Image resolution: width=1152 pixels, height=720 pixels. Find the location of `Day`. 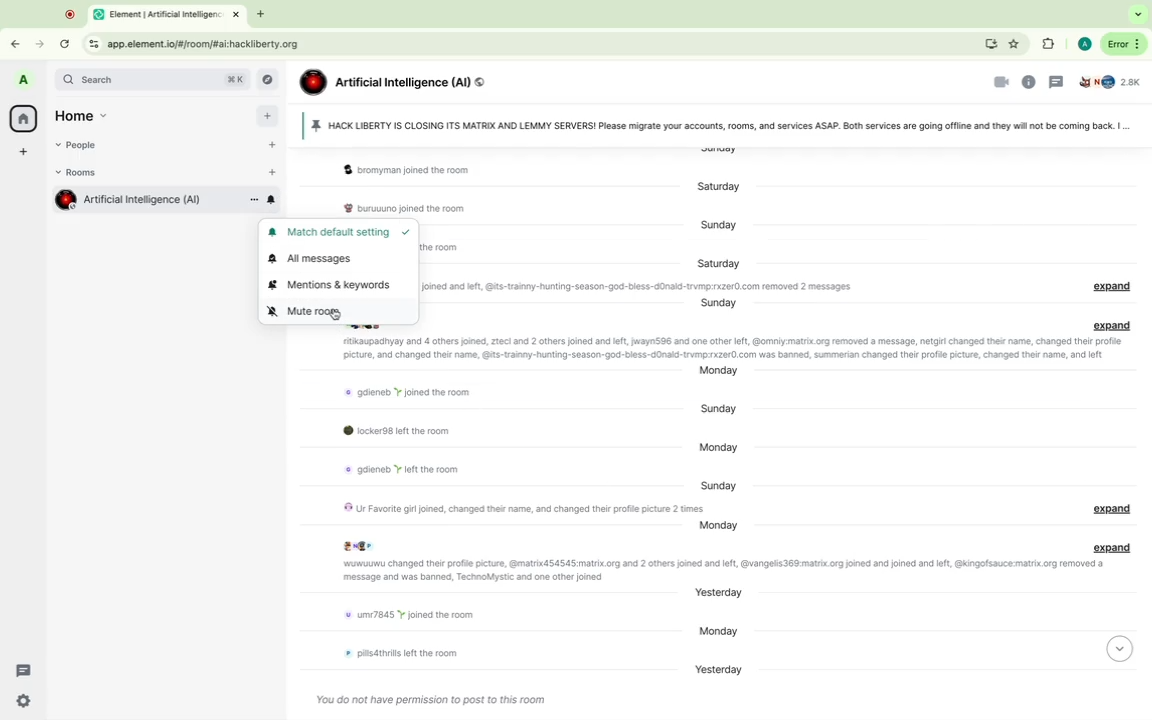

Day is located at coordinates (720, 527).